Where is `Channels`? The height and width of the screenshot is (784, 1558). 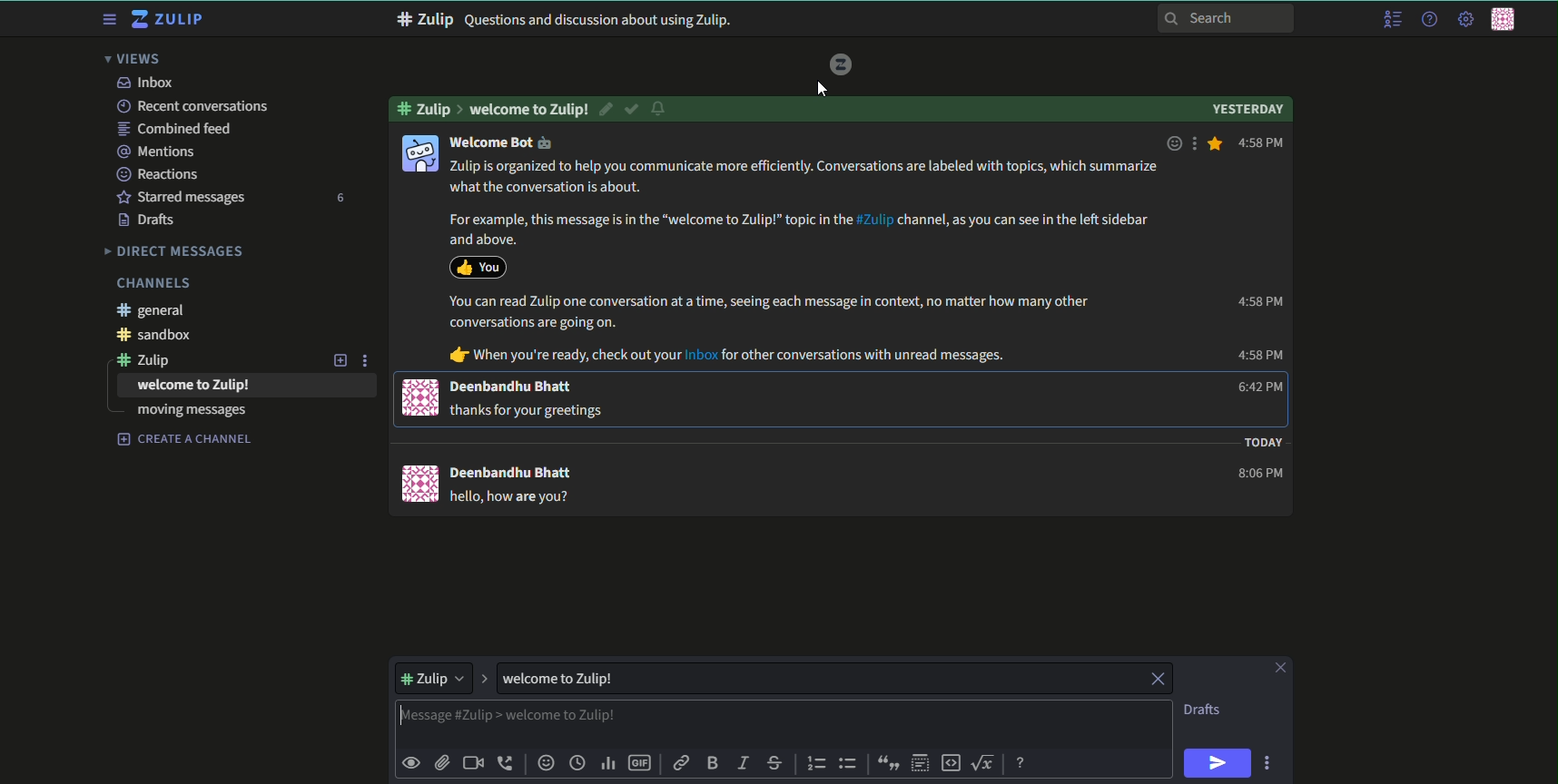
Channels is located at coordinates (153, 283).